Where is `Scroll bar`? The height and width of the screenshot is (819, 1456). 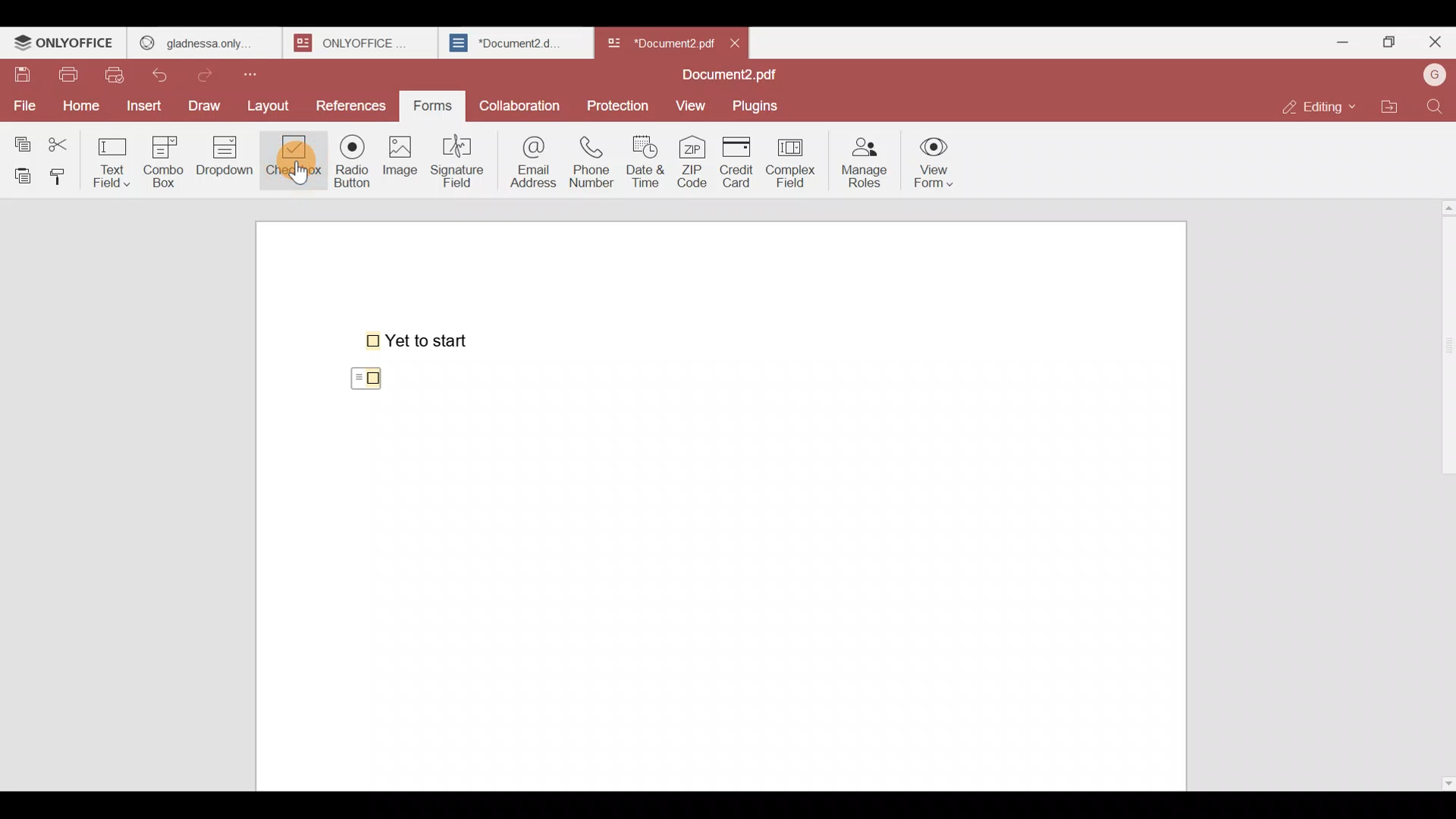
Scroll bar is located at coordinates (1443, 491).